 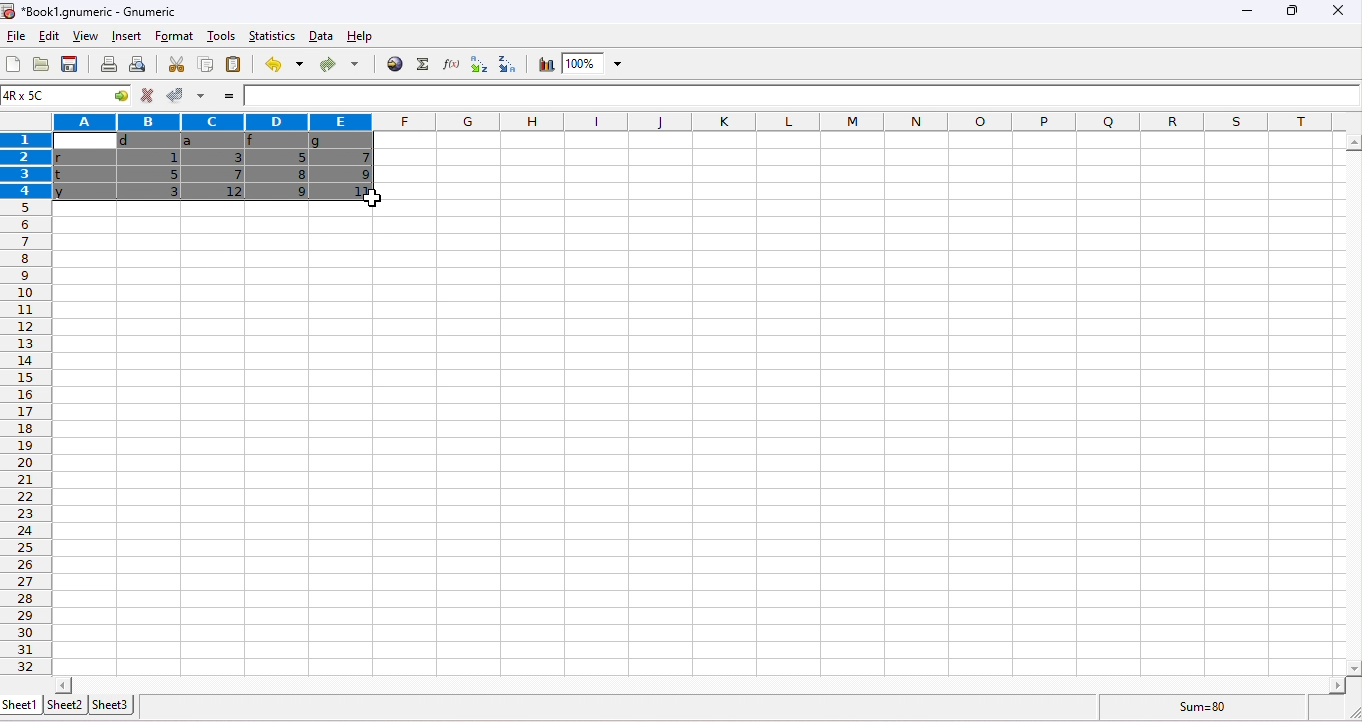 What do you see at coordinates (20, 704) in the screenshot?
I see `sheet1` at bounding box center [20, 704].